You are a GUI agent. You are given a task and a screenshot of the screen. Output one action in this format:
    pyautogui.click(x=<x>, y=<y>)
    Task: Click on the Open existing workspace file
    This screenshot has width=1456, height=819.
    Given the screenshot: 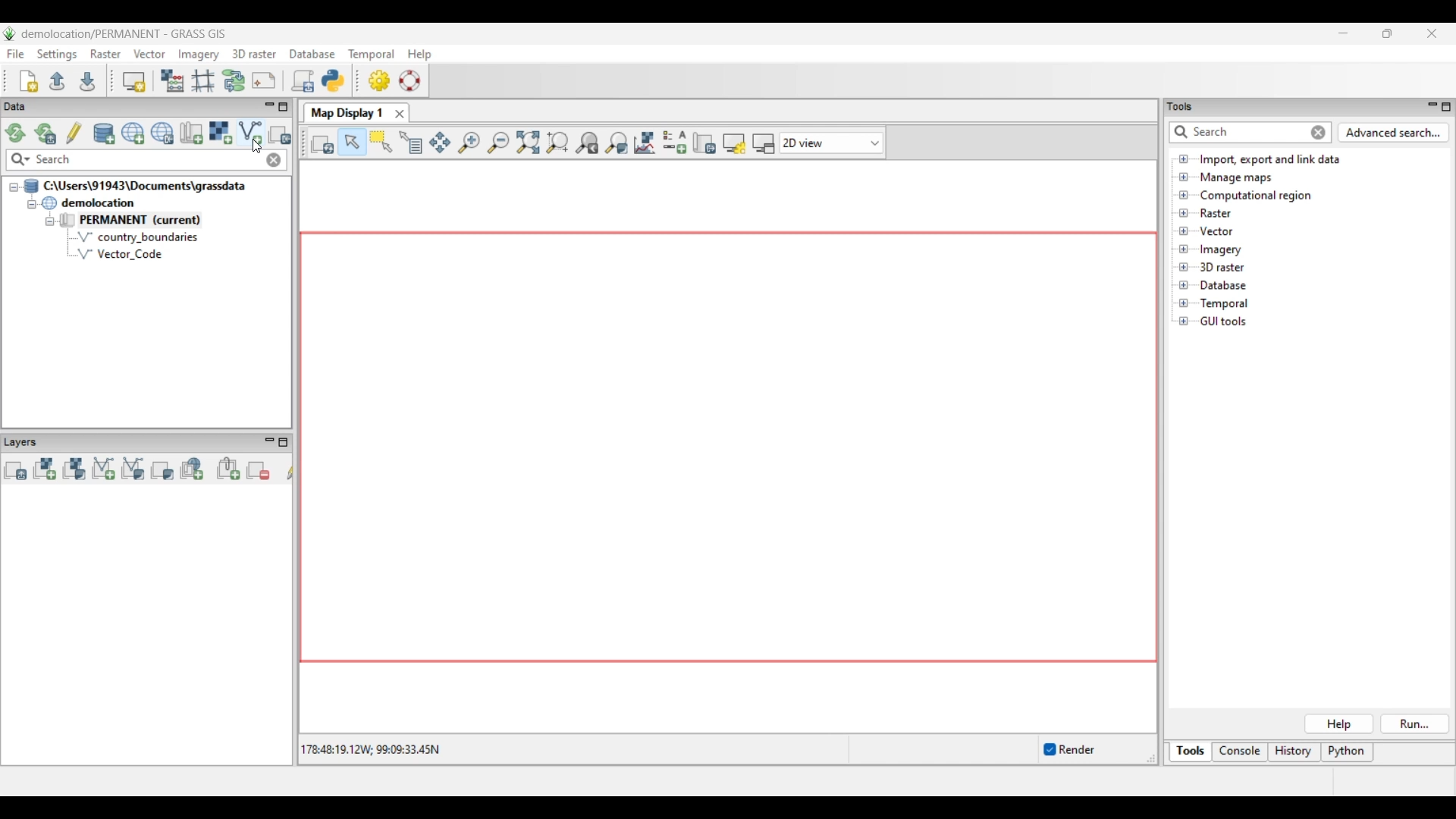 What is the action you would take?
    pyautogui.click(x=57, y=80)
    